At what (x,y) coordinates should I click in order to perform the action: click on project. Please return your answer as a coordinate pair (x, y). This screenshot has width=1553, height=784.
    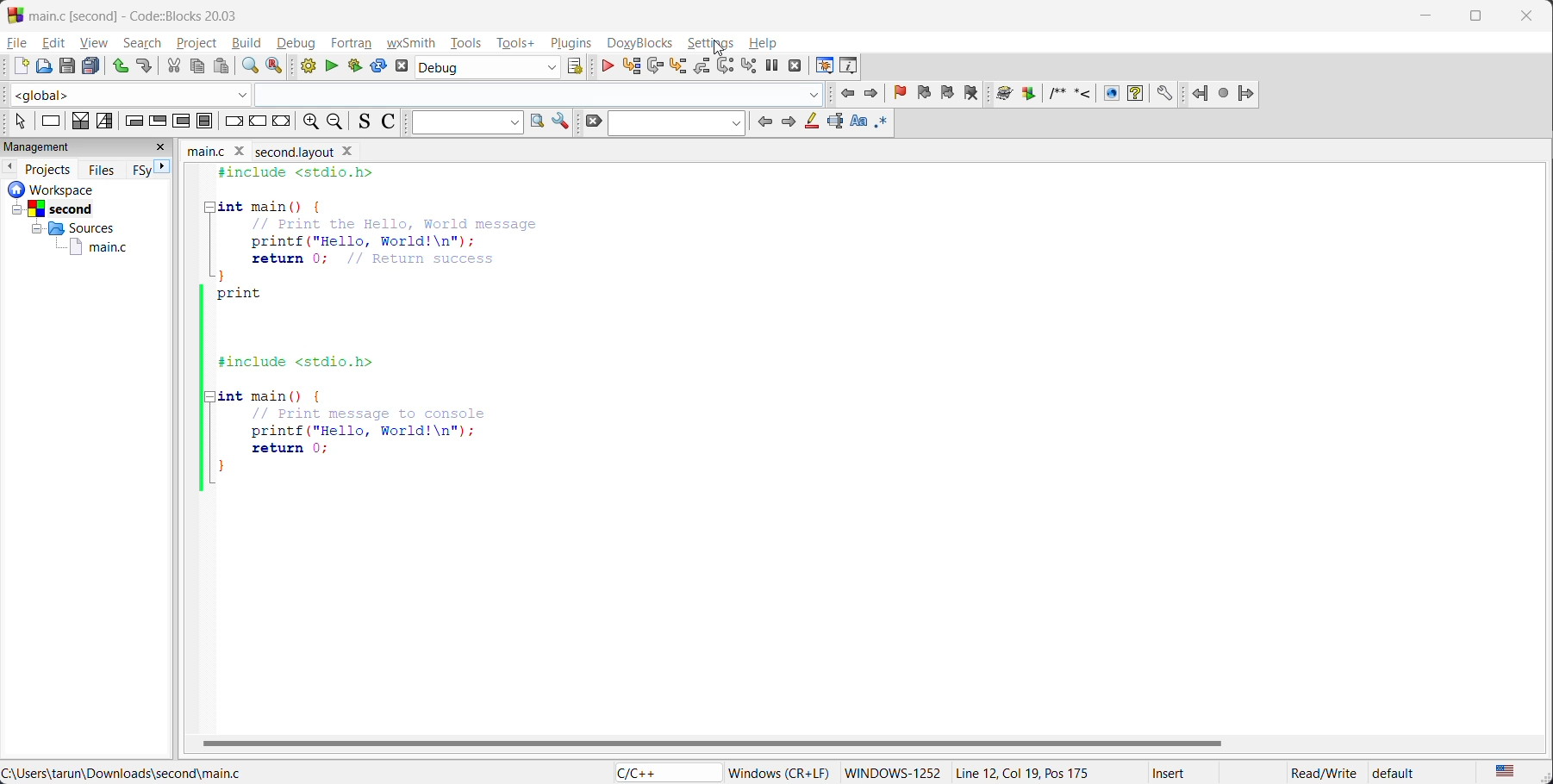
    Looking at the image, I should click on (199, 44).